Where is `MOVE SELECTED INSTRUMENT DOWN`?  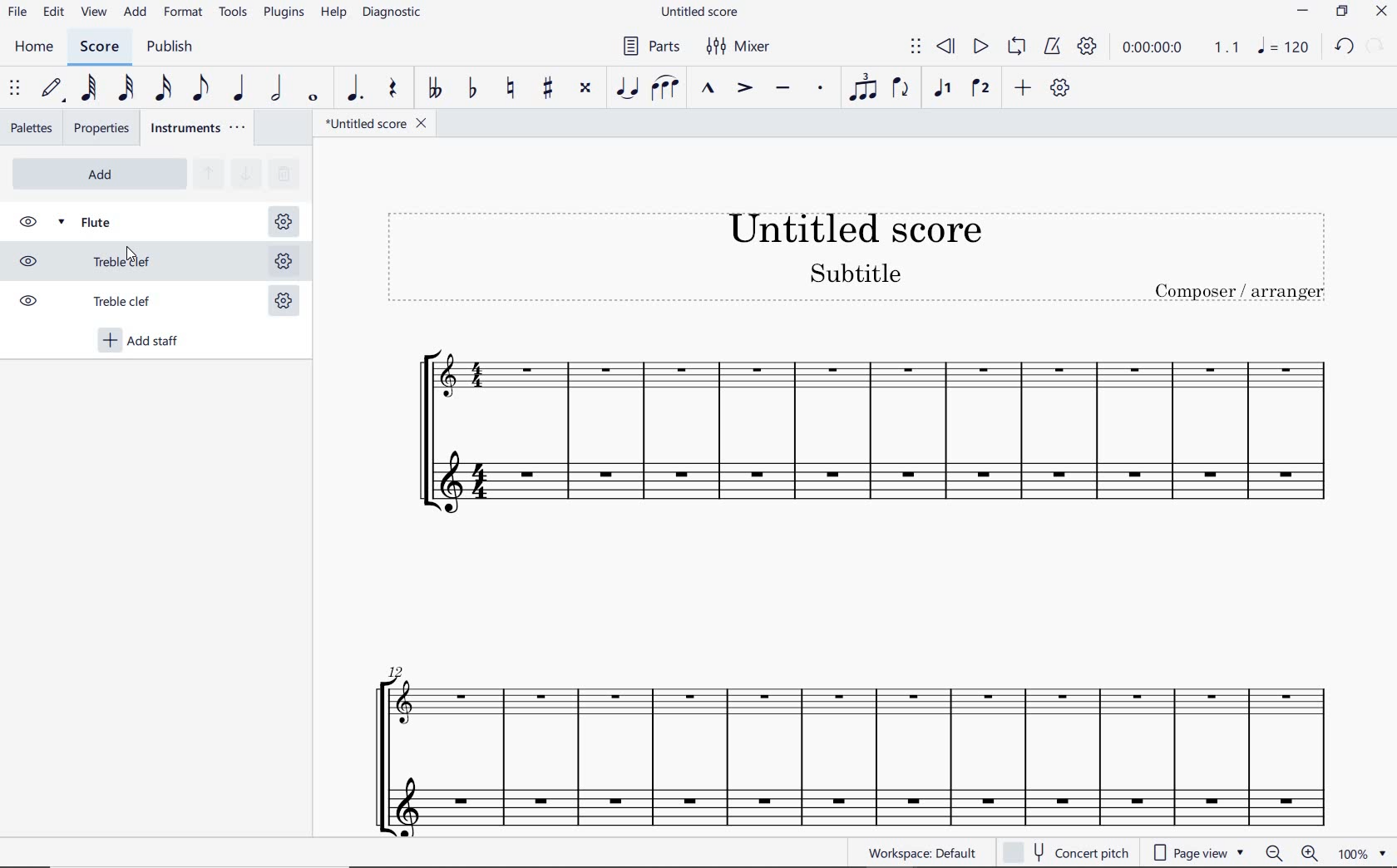 MOVE SELECTED INSTRUMENT DOWN is located at coordinates (244, 172).